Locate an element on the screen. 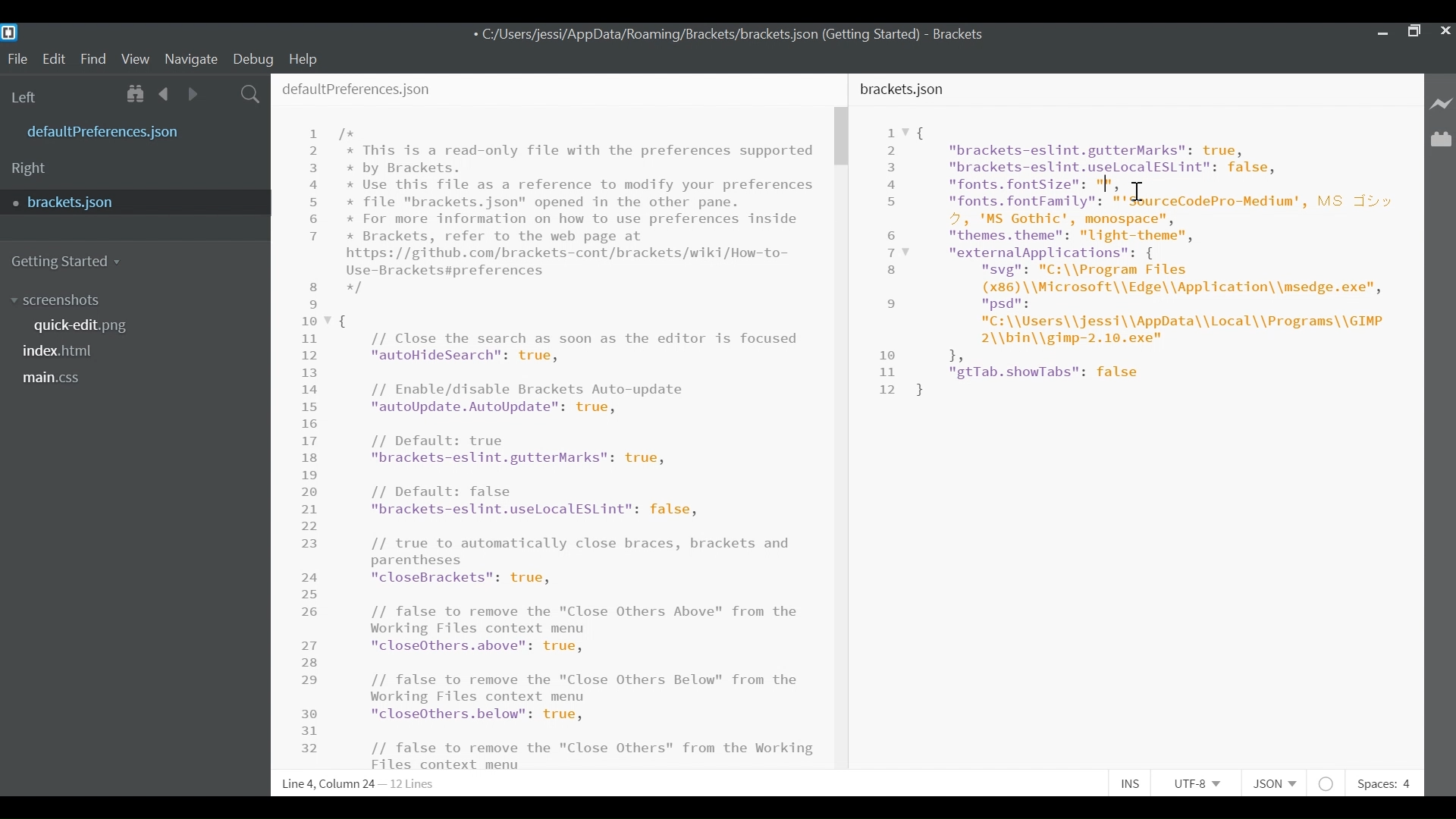 The height and width of the screenshot is (819, 1456). Manage Extenions is located at coordinates (1442, 140).